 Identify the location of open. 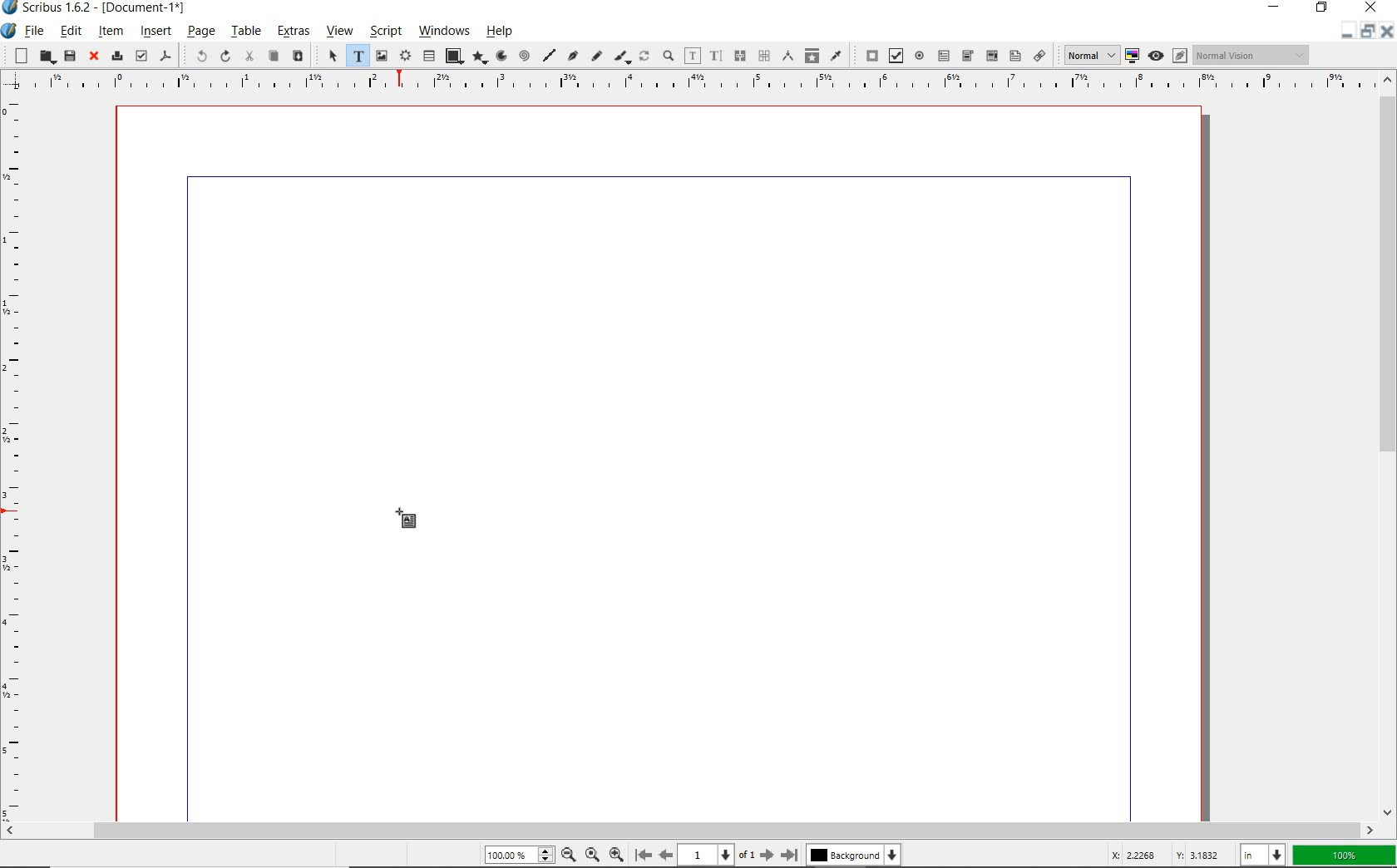
(46, 57).